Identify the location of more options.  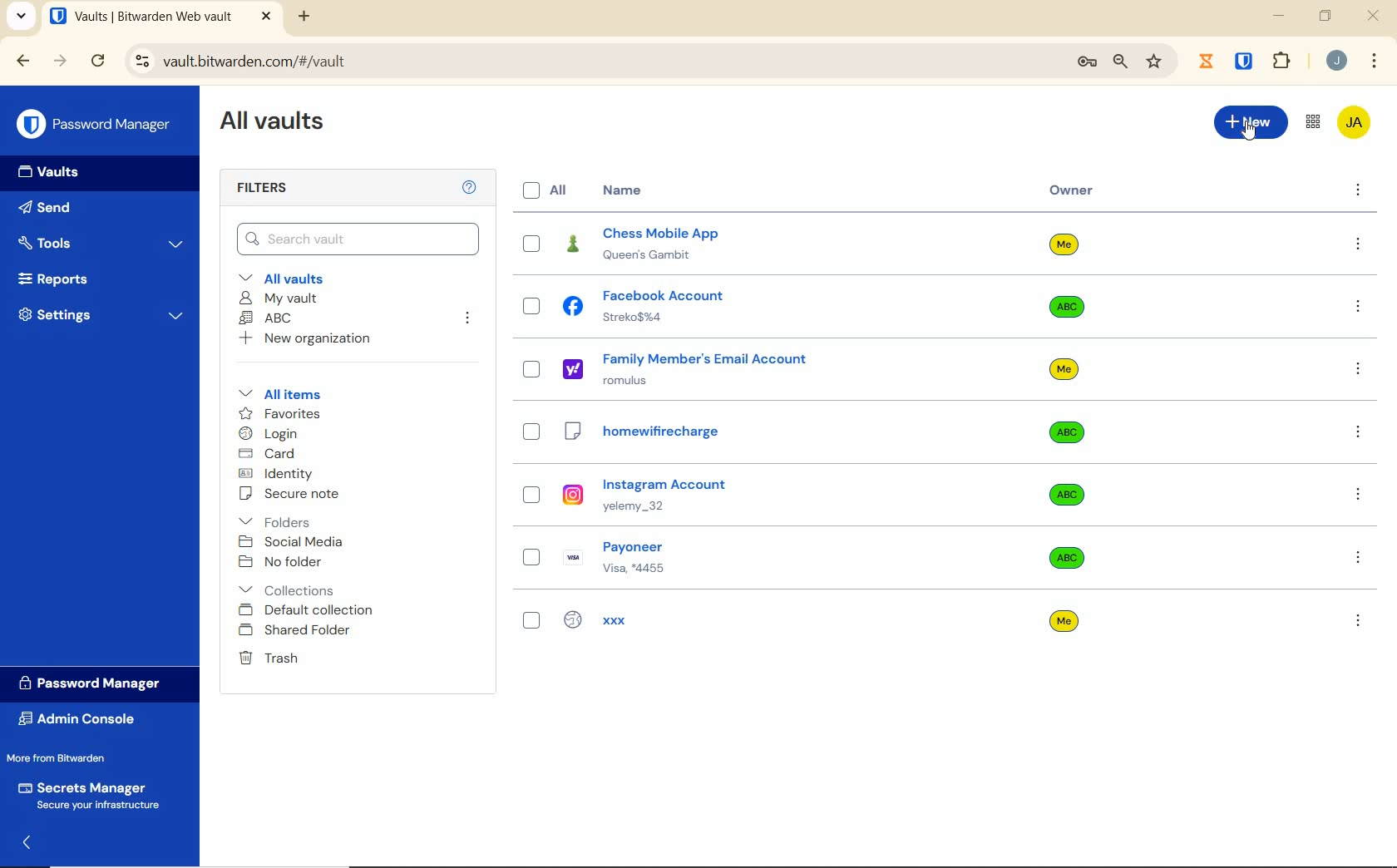
(1360, 556).